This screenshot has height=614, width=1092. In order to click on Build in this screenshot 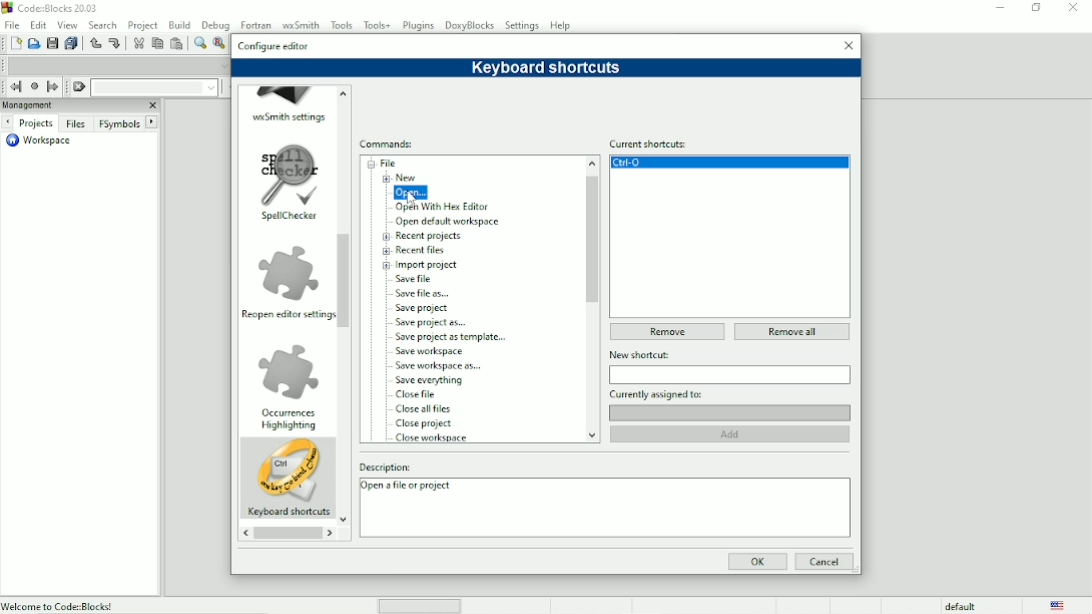, I will do `click(179, 25)`.